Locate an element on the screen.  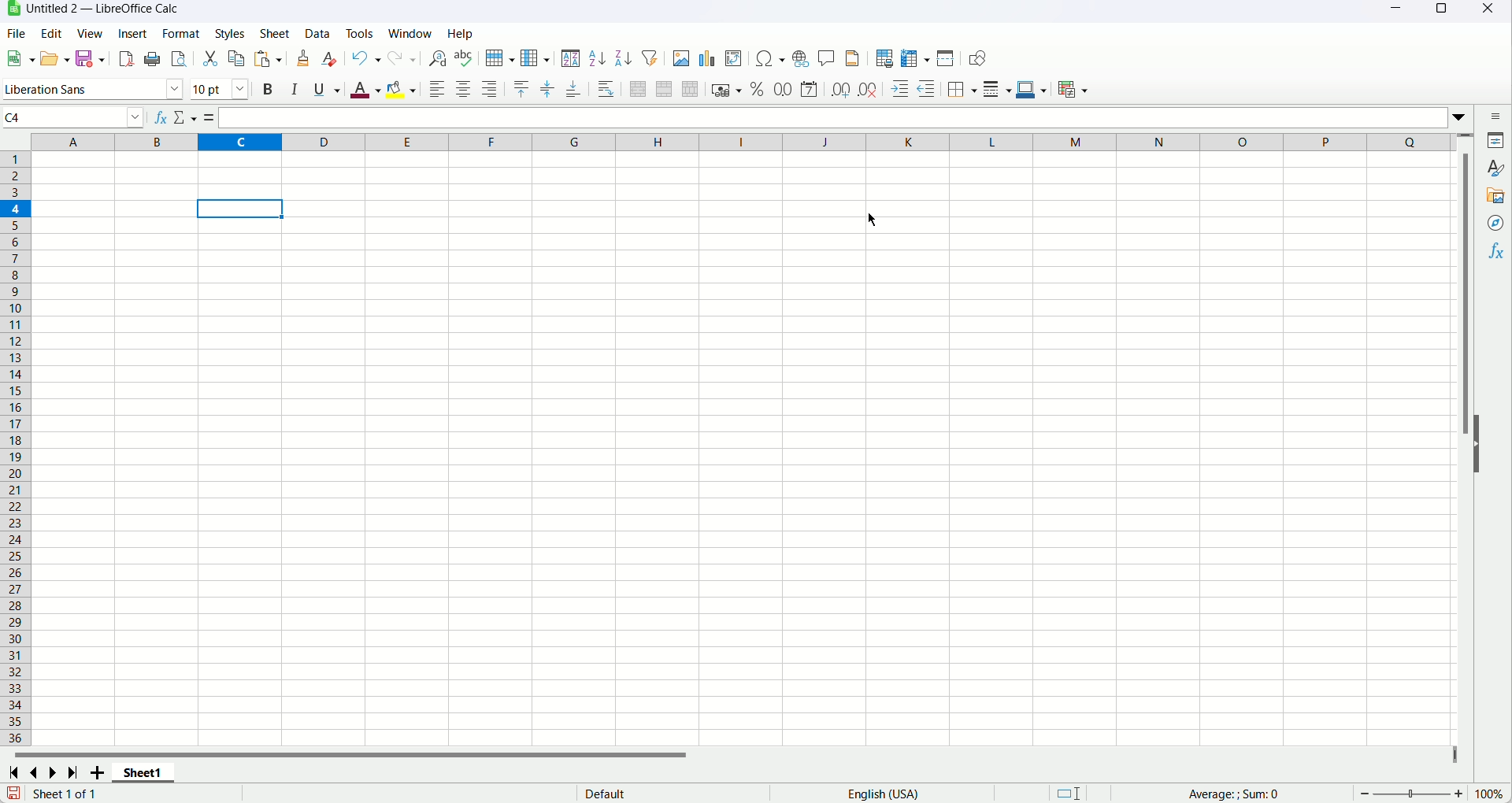
Help is located at coordinates (461, 34).